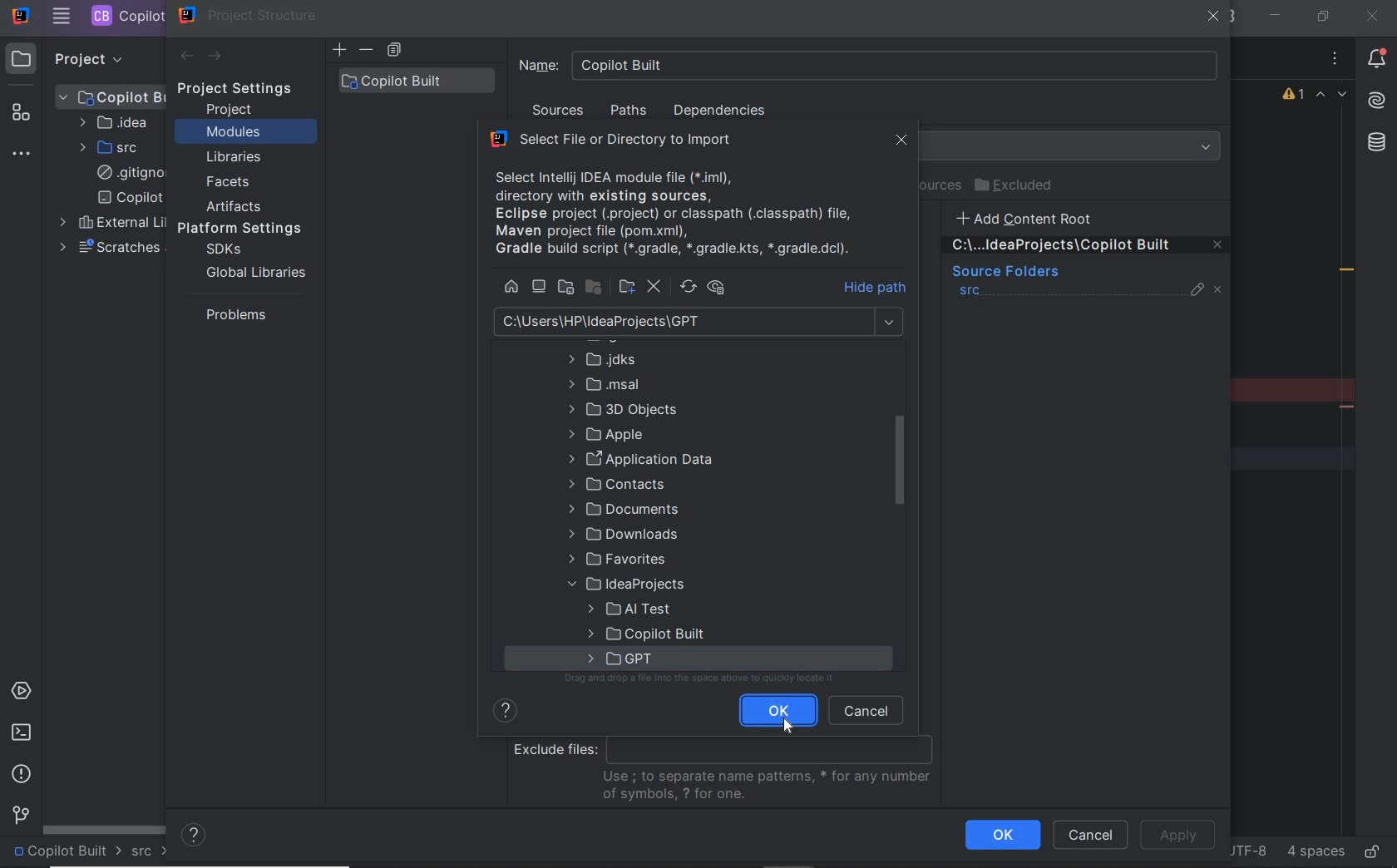  Describe the element at coordinates (900, 461) in the screenshot. I see `scrollbar` at that location.